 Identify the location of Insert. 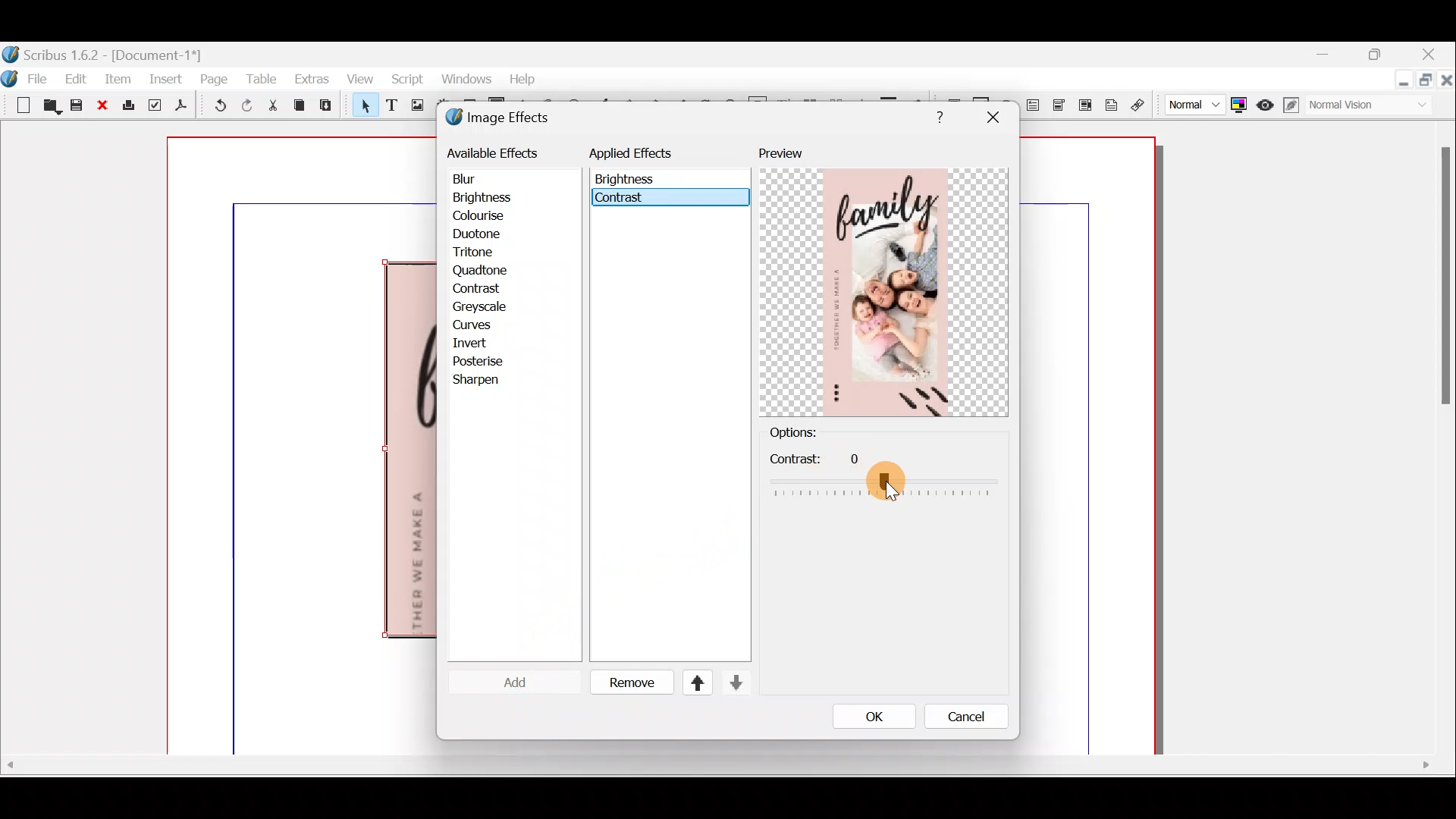
(167, 78).